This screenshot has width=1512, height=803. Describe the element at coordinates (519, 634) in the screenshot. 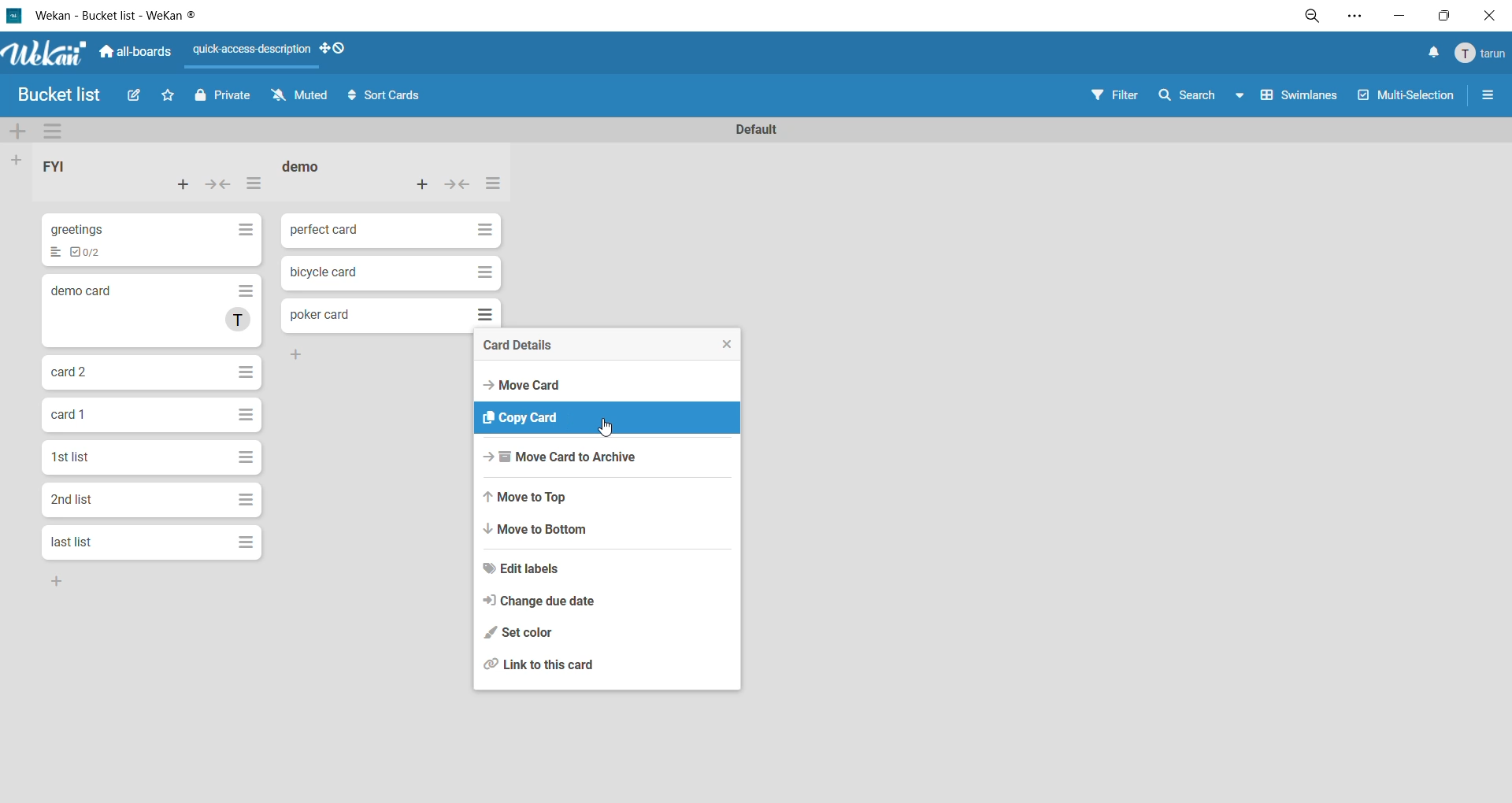

I see `set color` at that location.